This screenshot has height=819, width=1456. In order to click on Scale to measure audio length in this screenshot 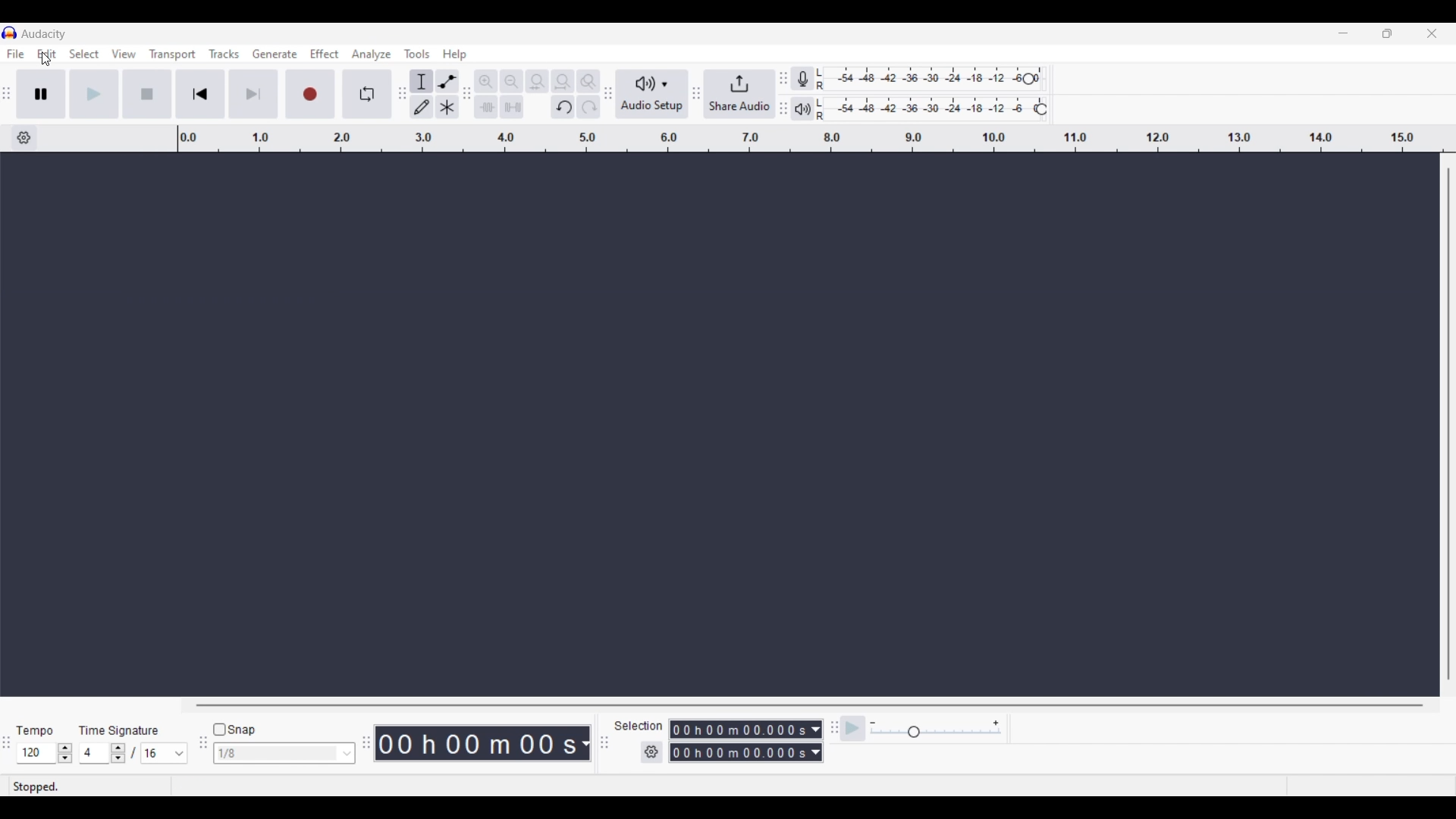, I will do `click(817, 139)`.